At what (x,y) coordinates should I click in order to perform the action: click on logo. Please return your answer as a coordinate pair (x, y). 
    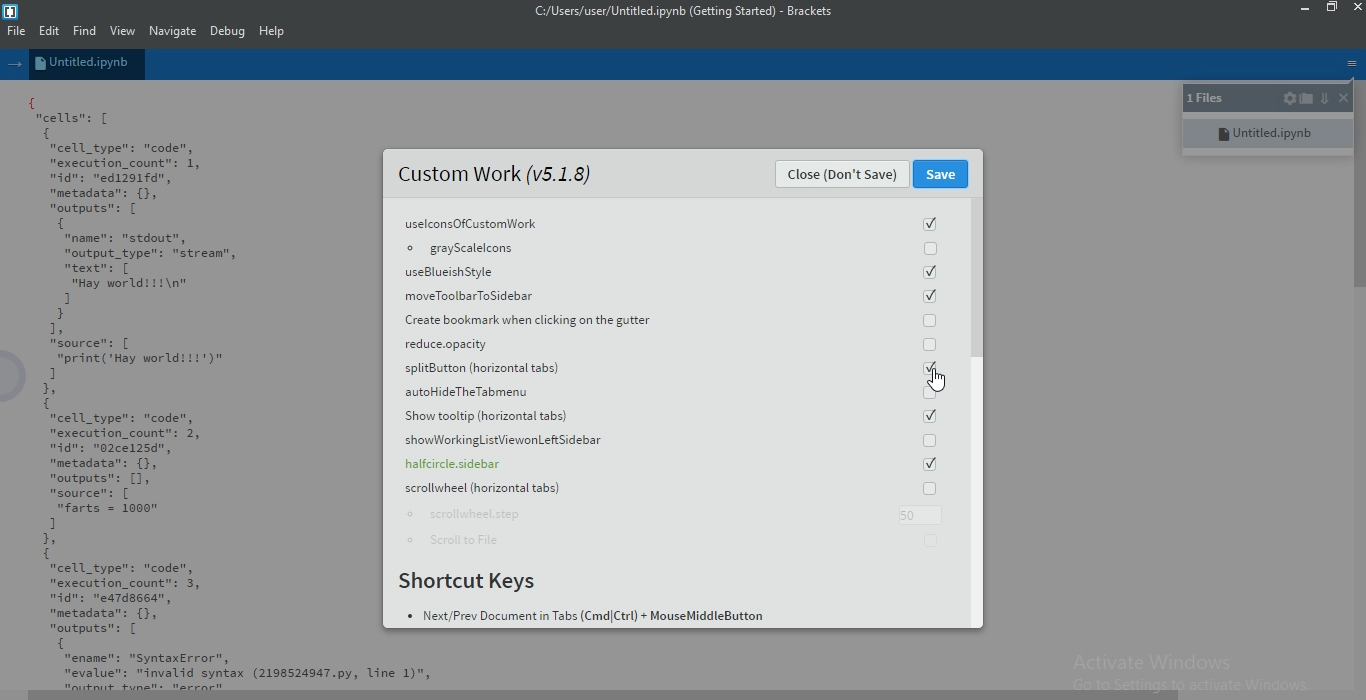
    Looking at the image, I should click on (11, 8).